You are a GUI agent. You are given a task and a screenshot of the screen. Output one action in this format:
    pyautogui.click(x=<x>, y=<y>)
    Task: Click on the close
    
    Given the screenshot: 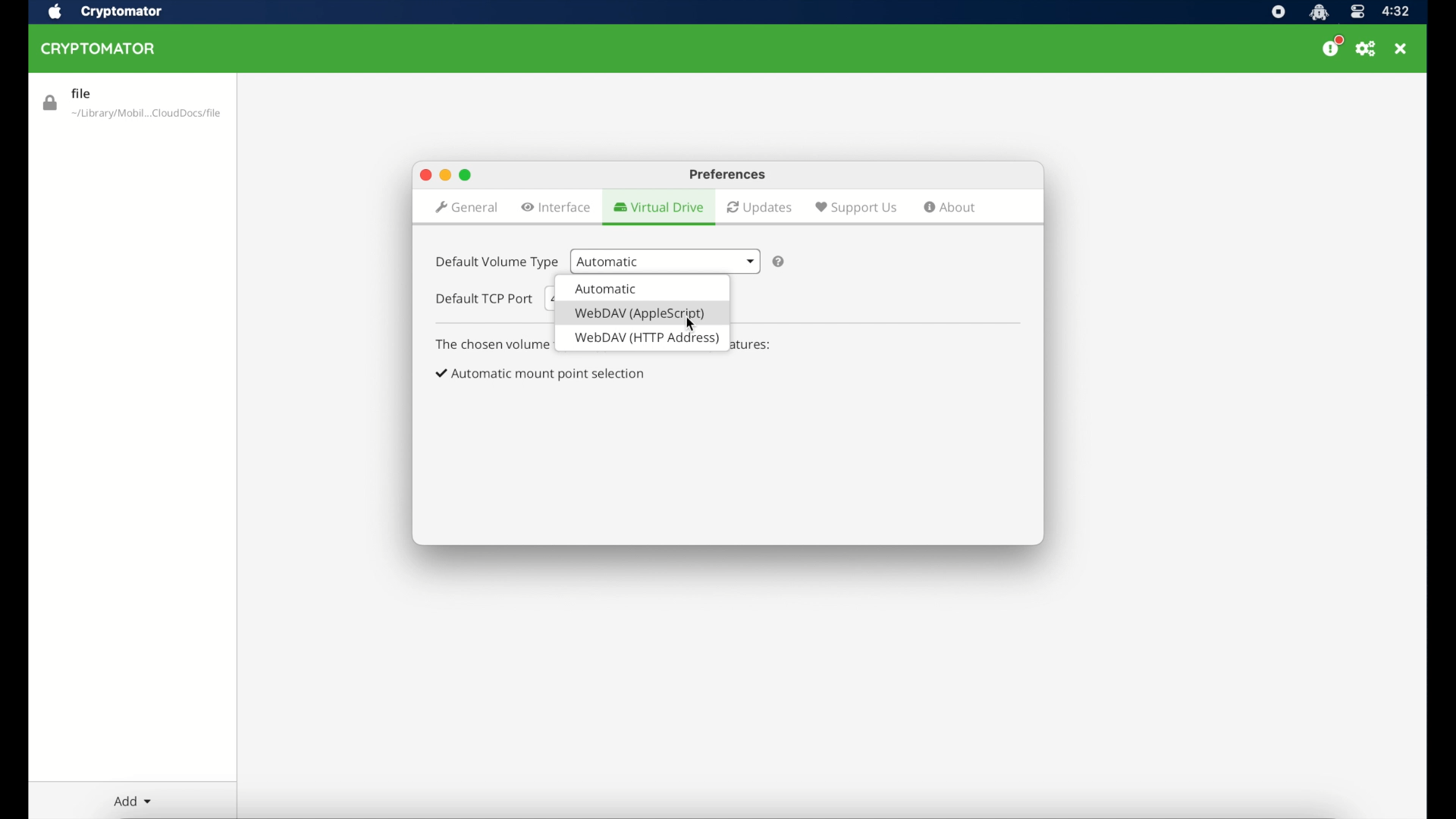 What is the action you would take?
    pyautogui.click(x=1401, y=49)
    